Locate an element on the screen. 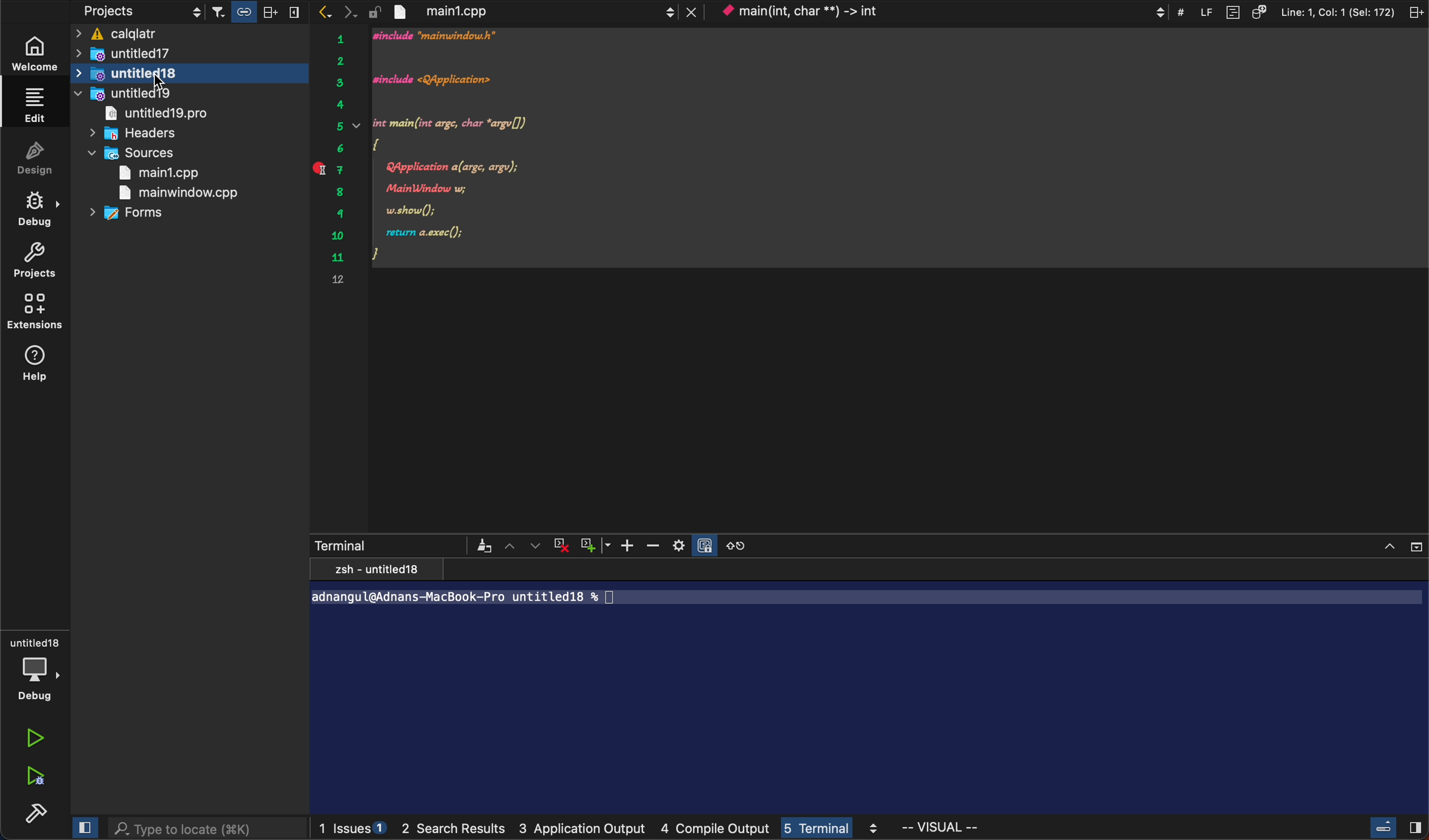 The height and width of the screenshot is (840, 1429). next is located at coordinates (350, 11).